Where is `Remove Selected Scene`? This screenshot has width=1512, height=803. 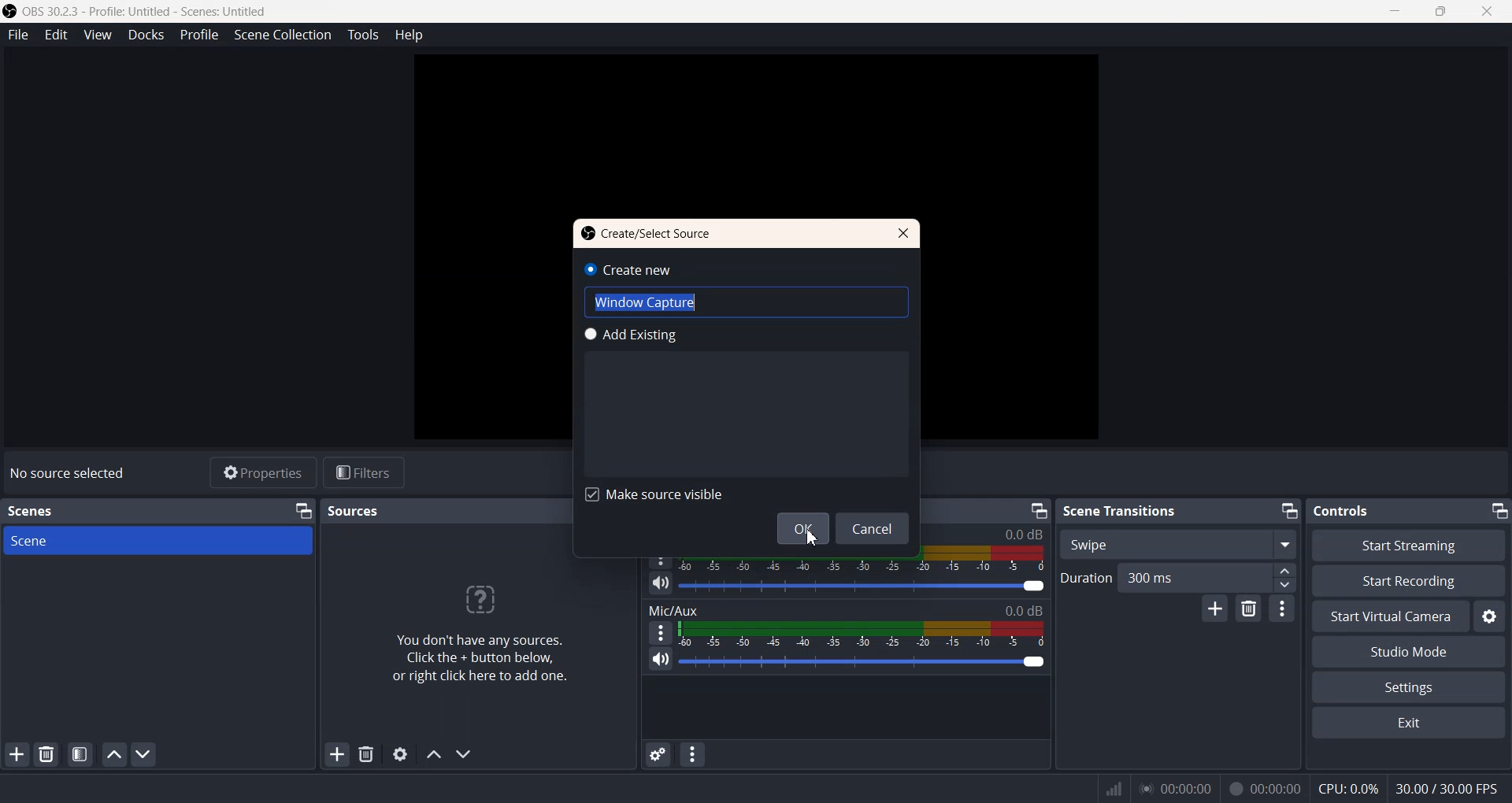 Remove Selected Scene is located at coordinates (46, 755).